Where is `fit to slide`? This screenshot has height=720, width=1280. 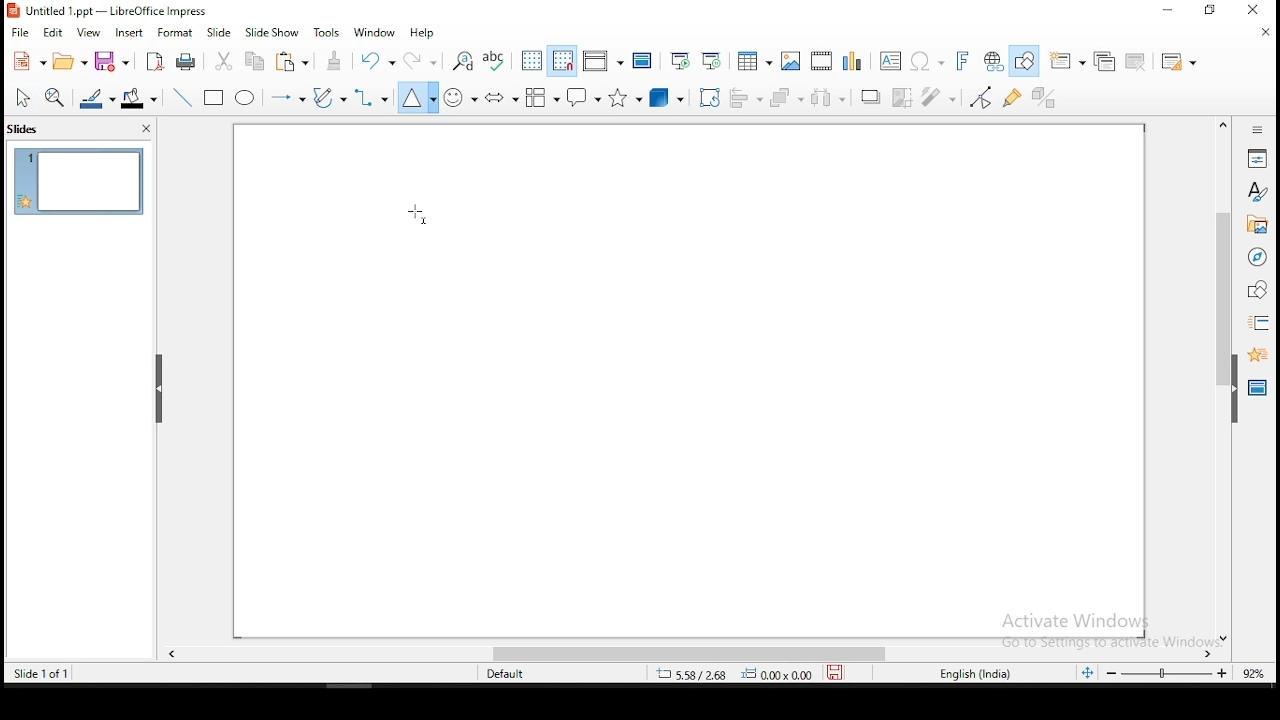 fit to slide is located at coordinates (1091, 676).